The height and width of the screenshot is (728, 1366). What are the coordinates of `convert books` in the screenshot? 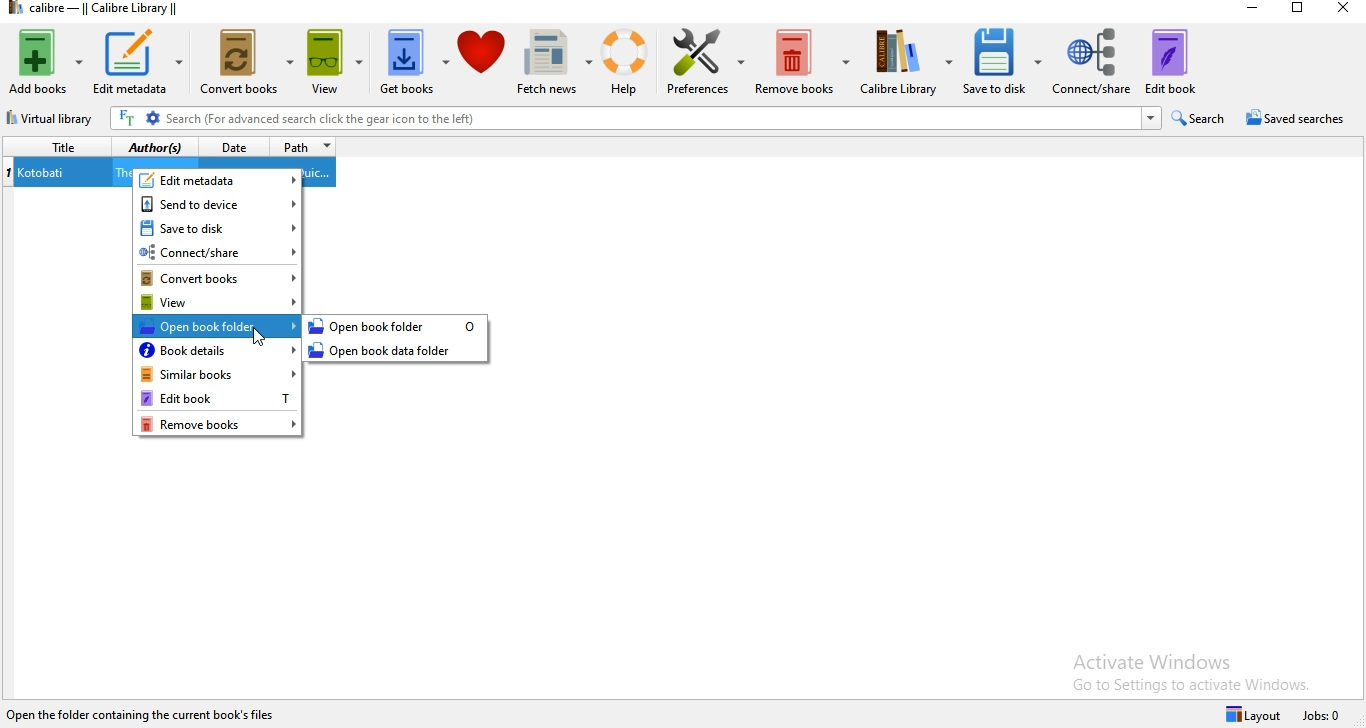 It's located at (247, 65).